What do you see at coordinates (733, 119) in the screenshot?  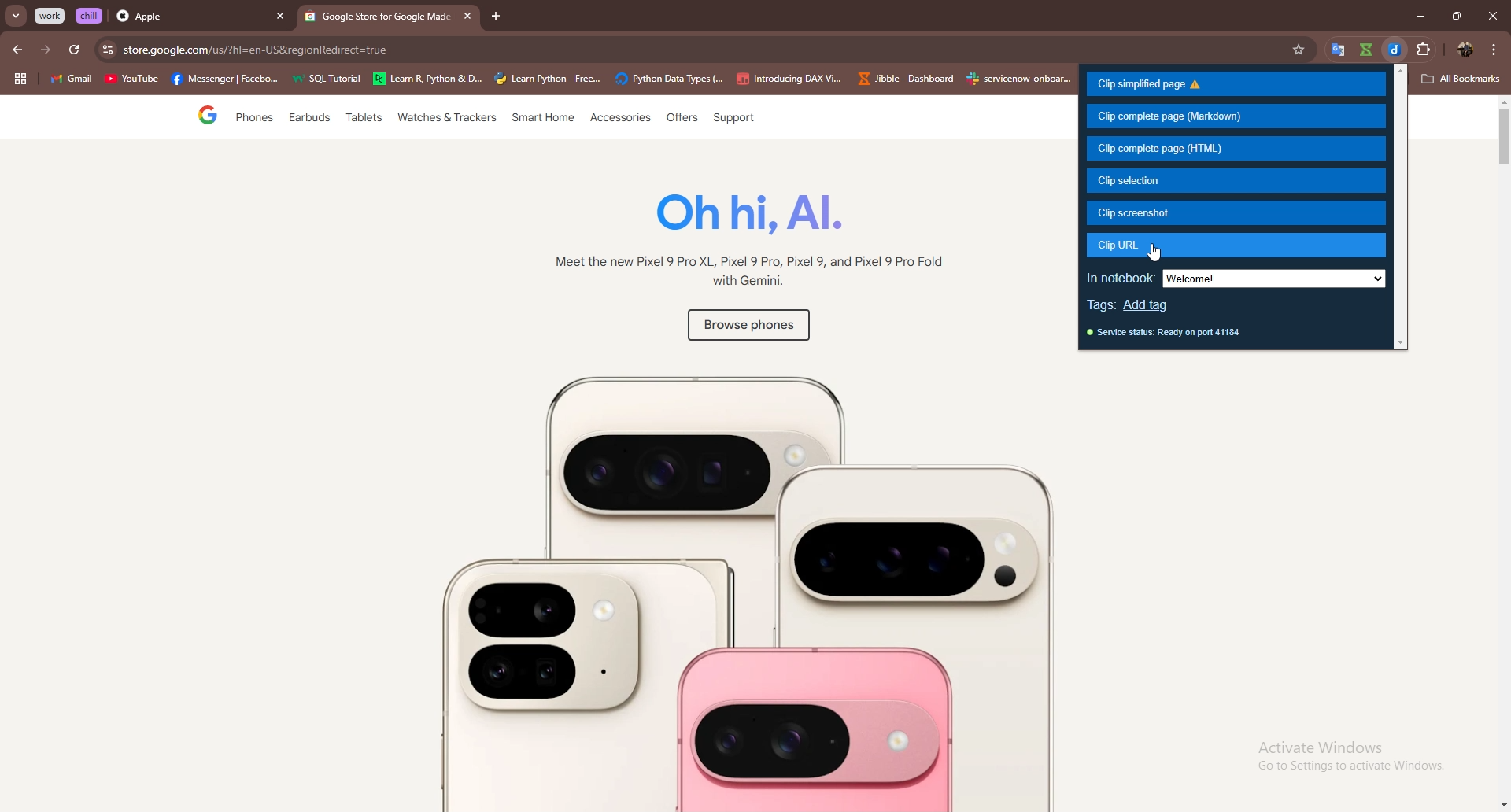 I see `support` at bounding box center [733, 119].